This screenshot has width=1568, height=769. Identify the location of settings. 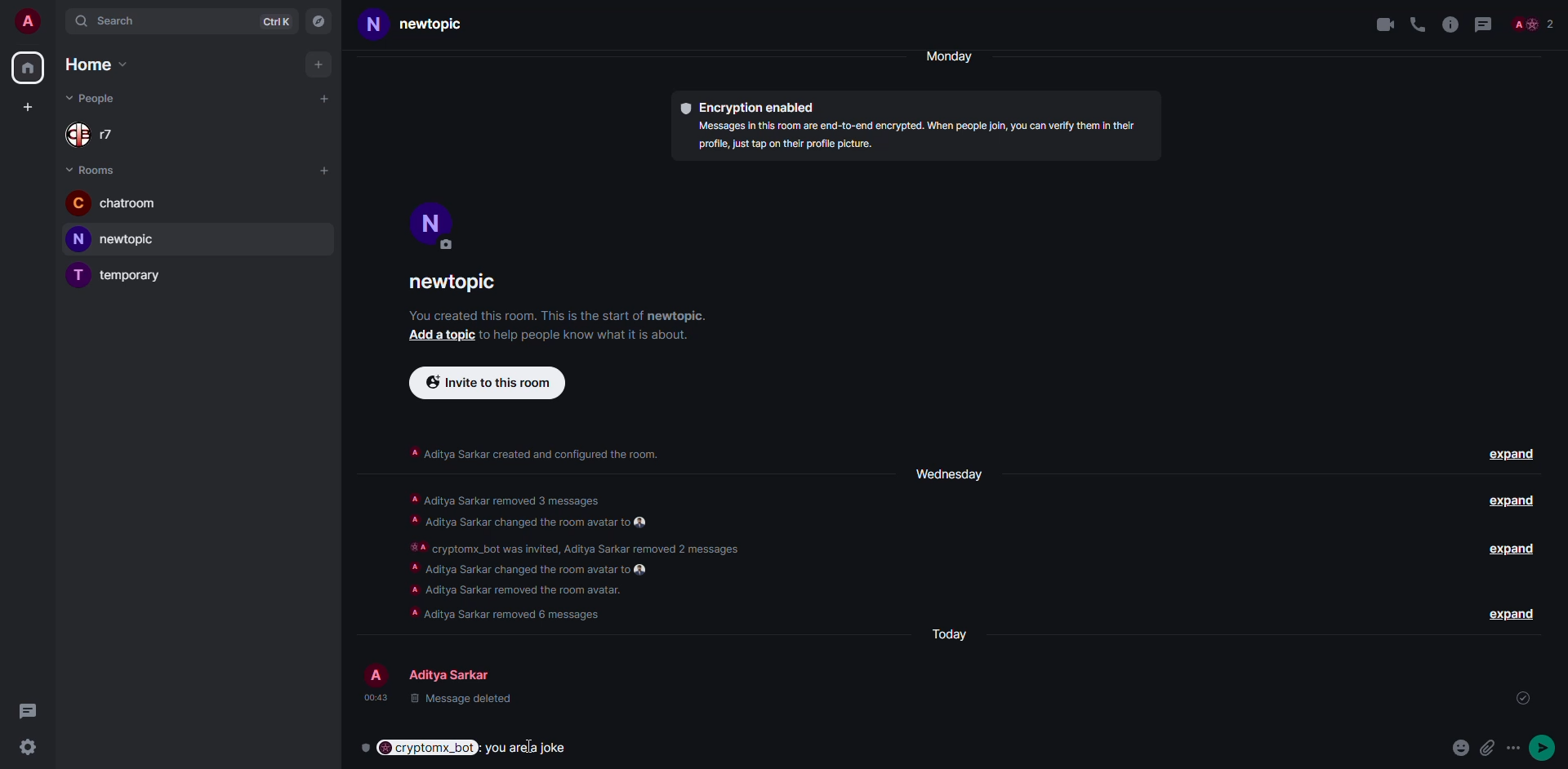
(27, 749).